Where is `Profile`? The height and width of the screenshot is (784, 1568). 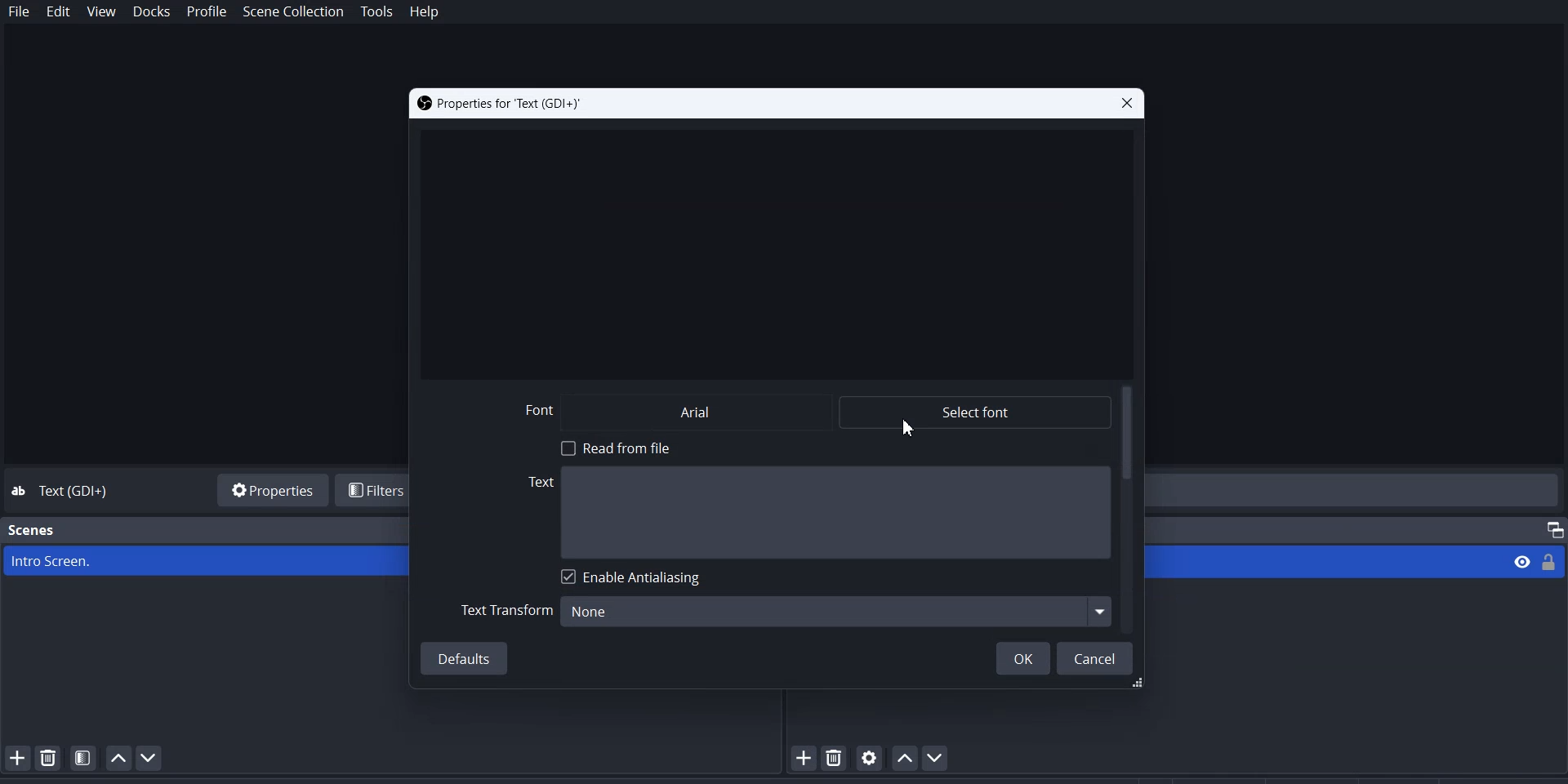
Profile is located at coordinates (207, 12).